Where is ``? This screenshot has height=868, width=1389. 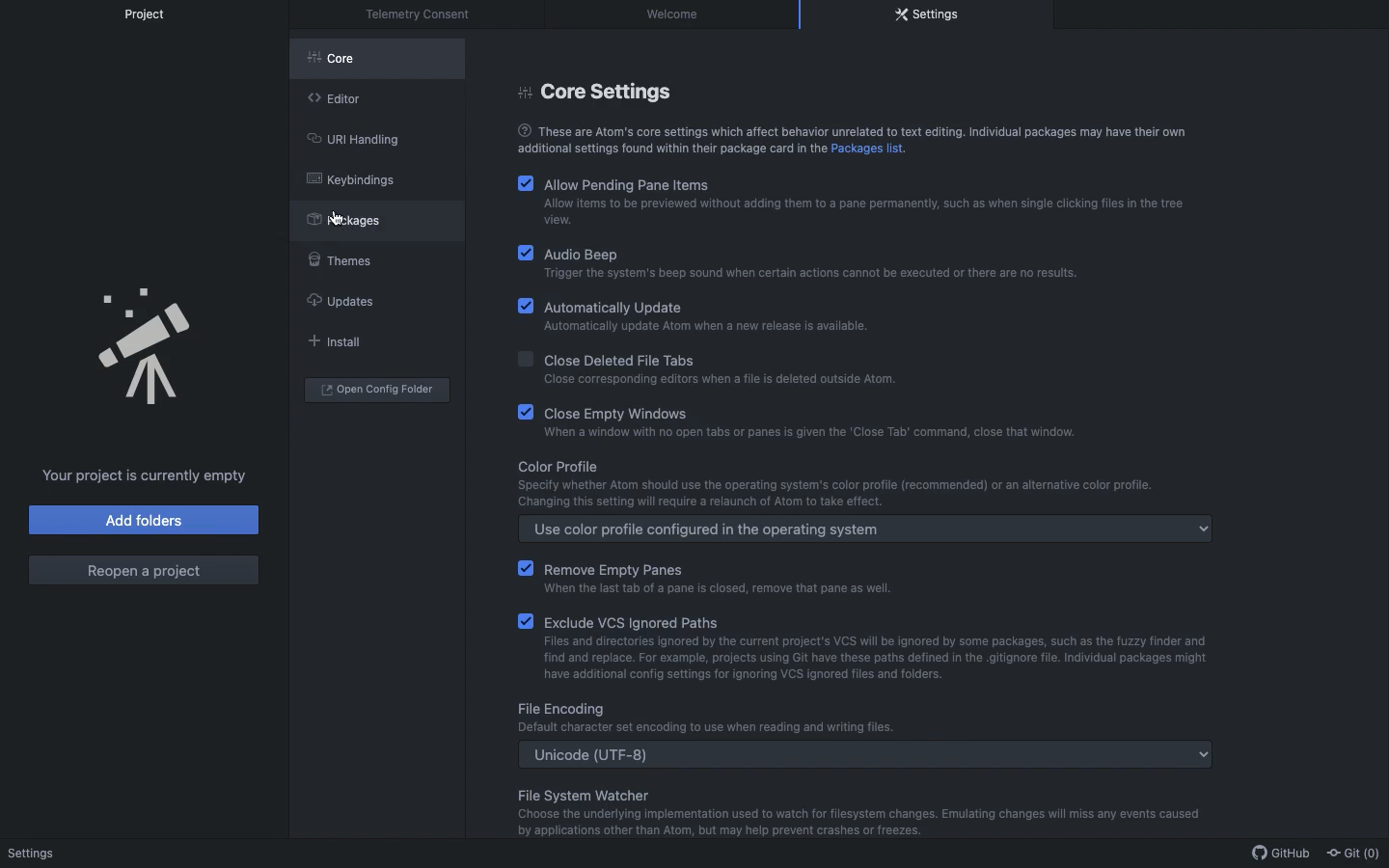  is located at coordinates (704, 719).